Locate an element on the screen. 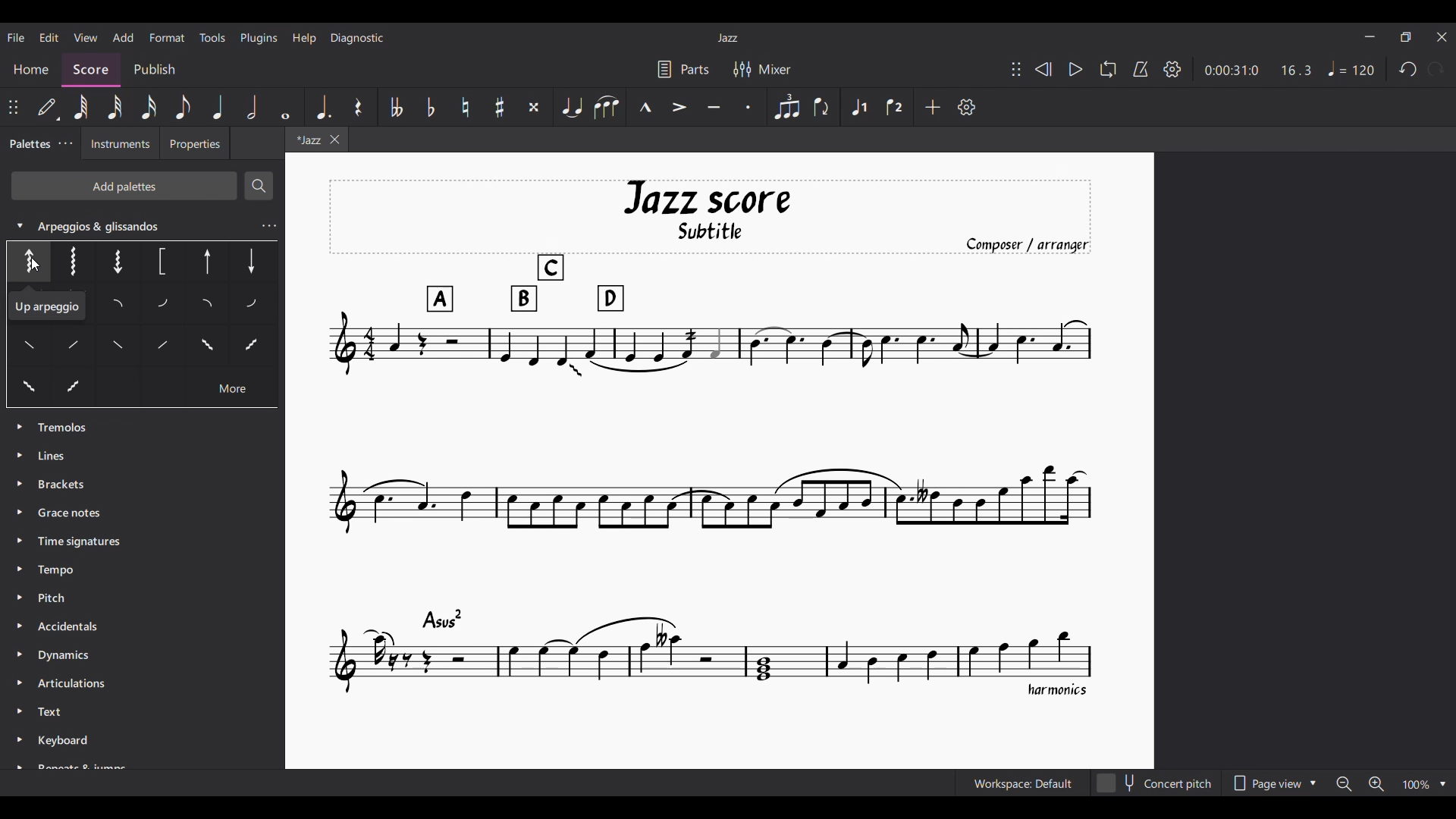 The width and height of the screenshot is (1456, 819).  is located at coordinates (160, 344).